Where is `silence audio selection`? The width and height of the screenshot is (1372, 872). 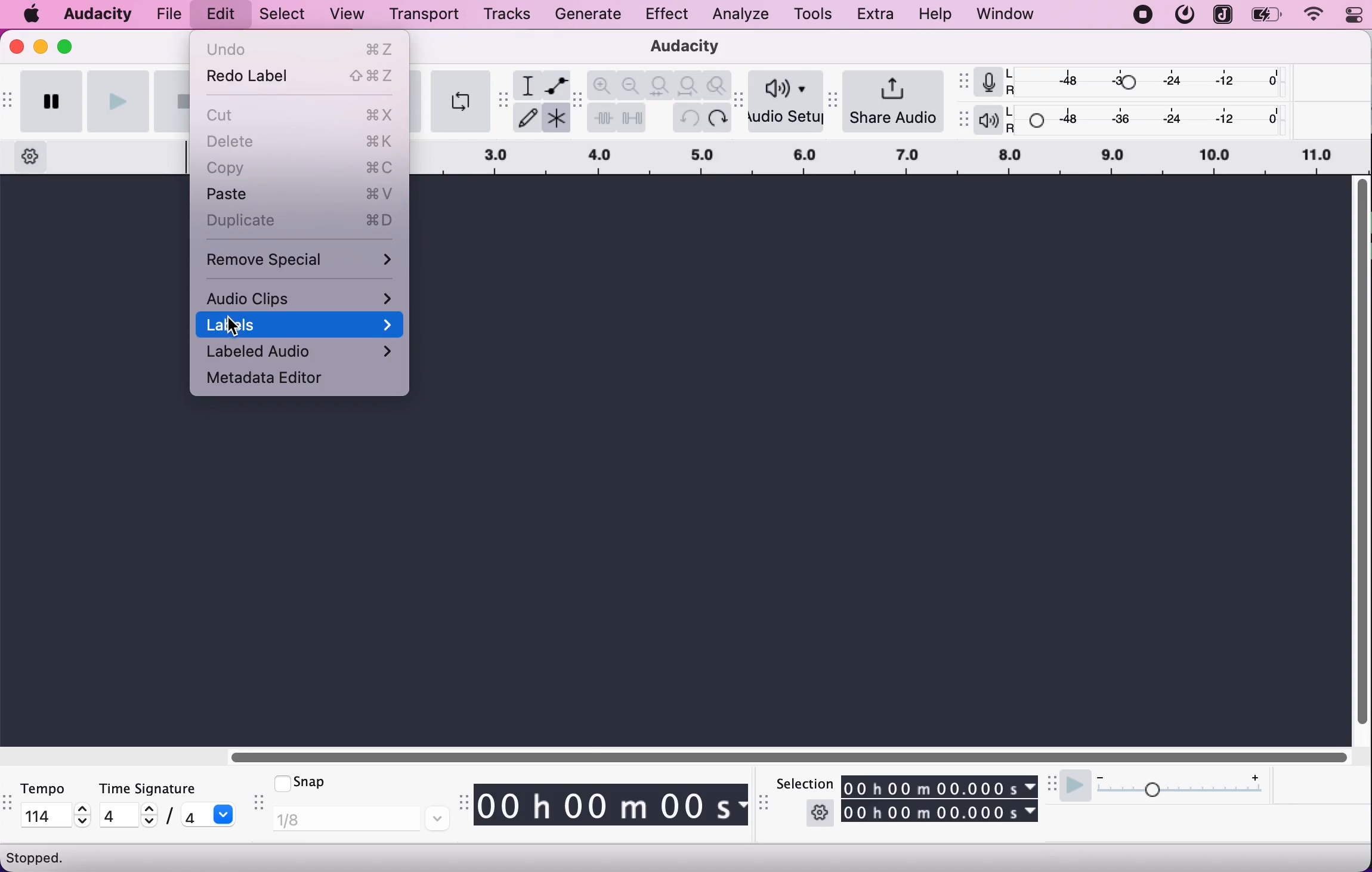
silence audio selection is located at coordinates (632, 117).